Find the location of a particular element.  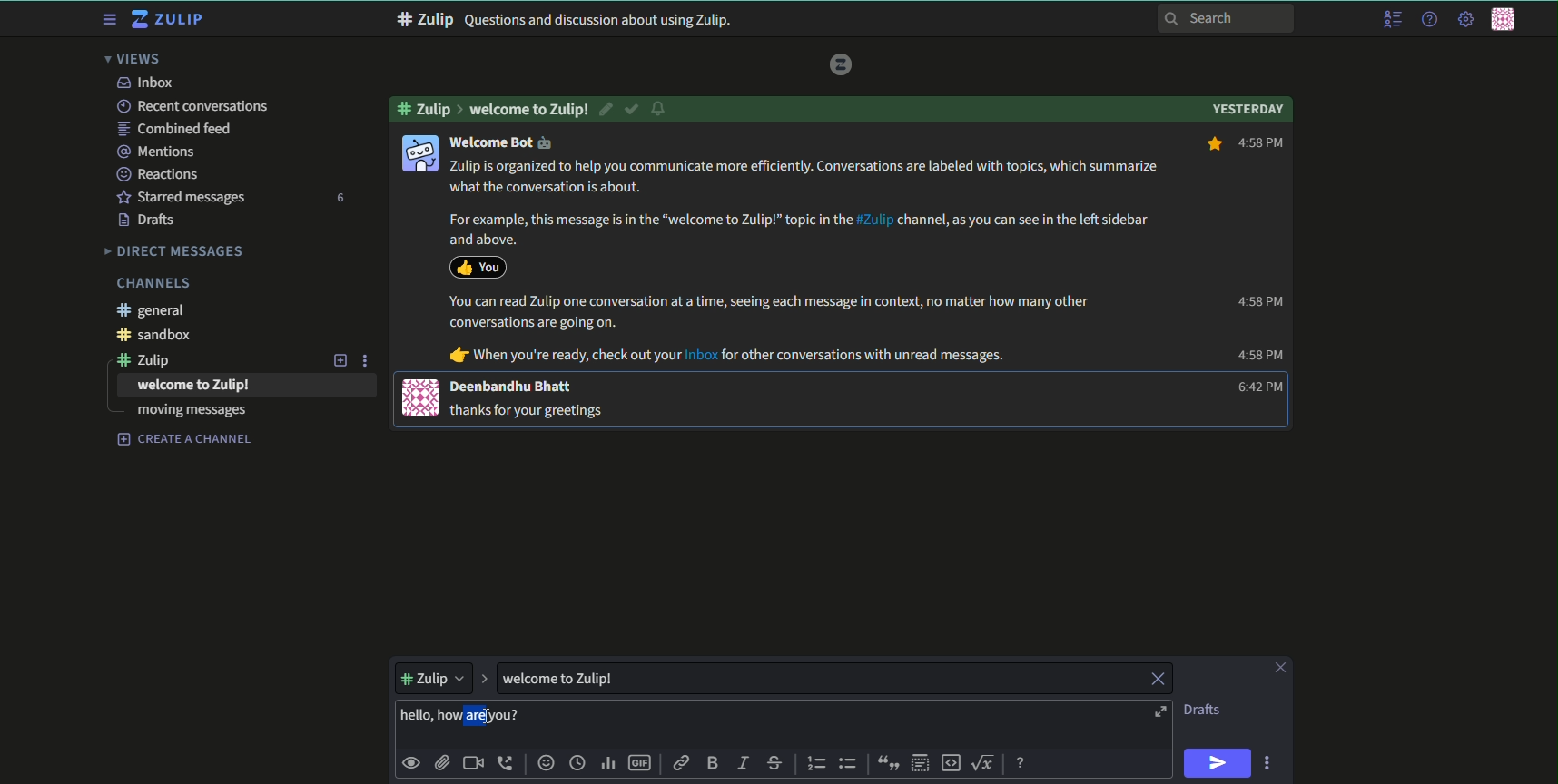

numbered list is located at coordinates (817, 763).